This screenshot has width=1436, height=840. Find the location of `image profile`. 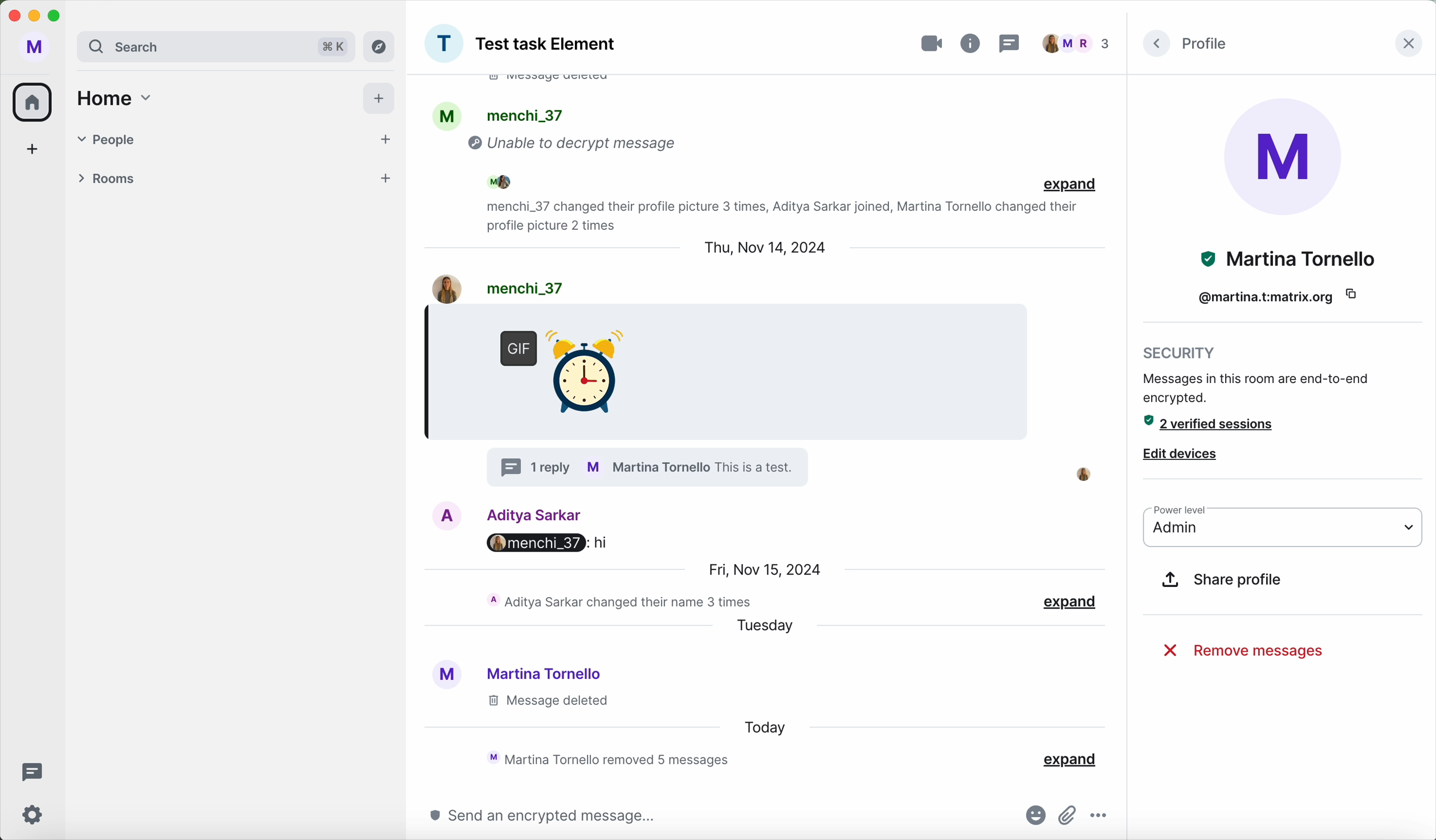

image profile is located at coordinates (448, 515).